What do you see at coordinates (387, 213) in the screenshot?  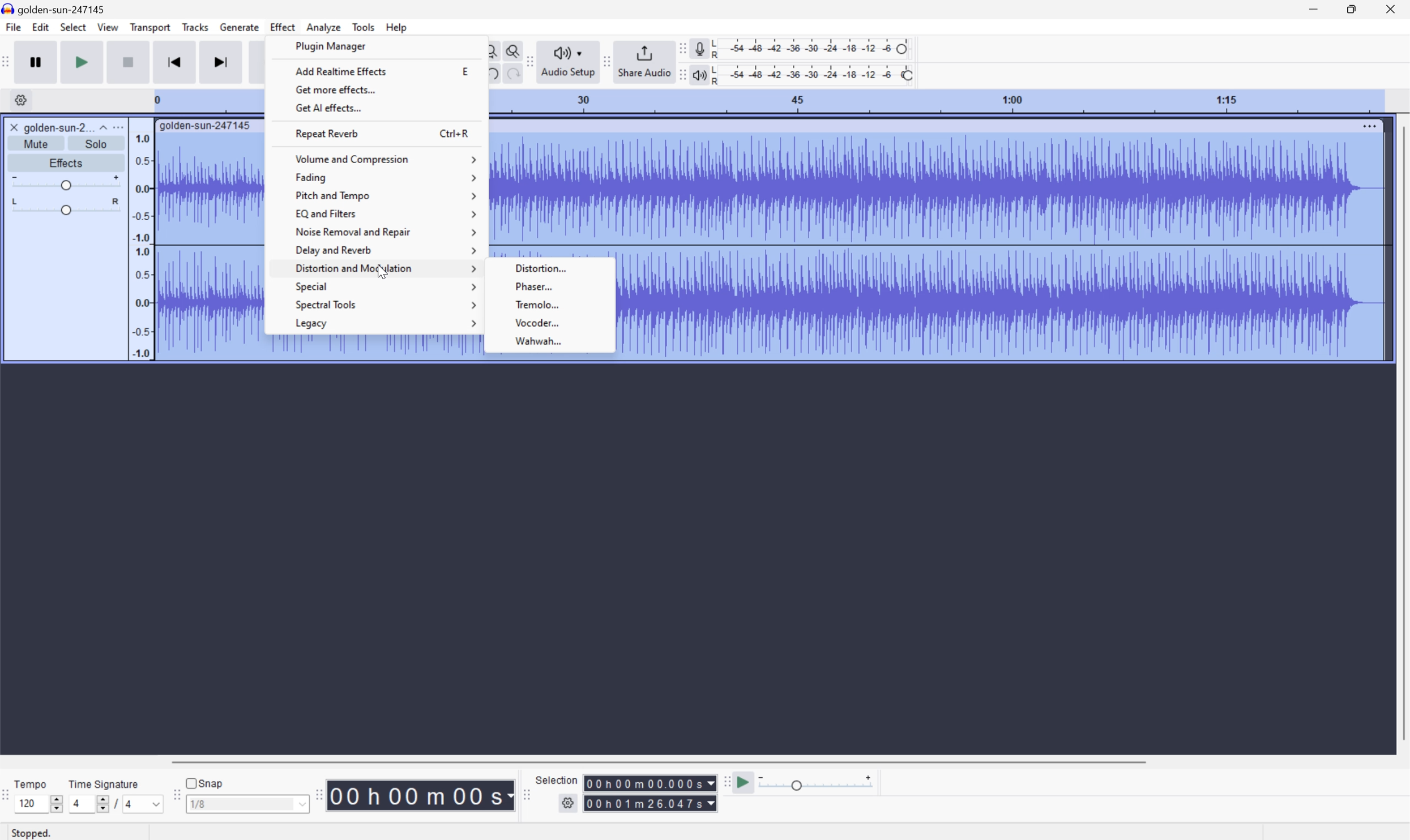 I see `EQ and filters` at bounding box center [387, 213].